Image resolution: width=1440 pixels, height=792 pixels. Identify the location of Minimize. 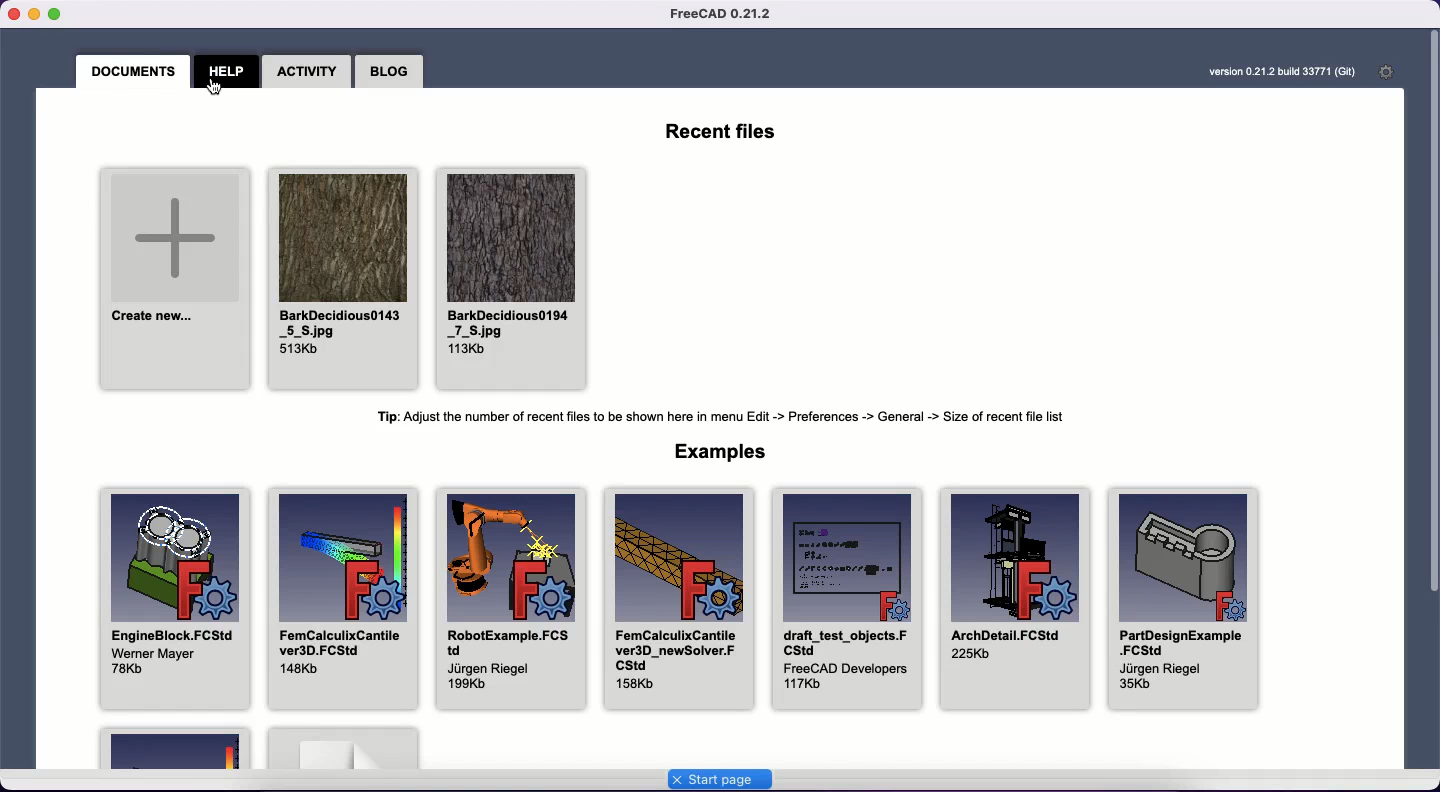
(33, 15).